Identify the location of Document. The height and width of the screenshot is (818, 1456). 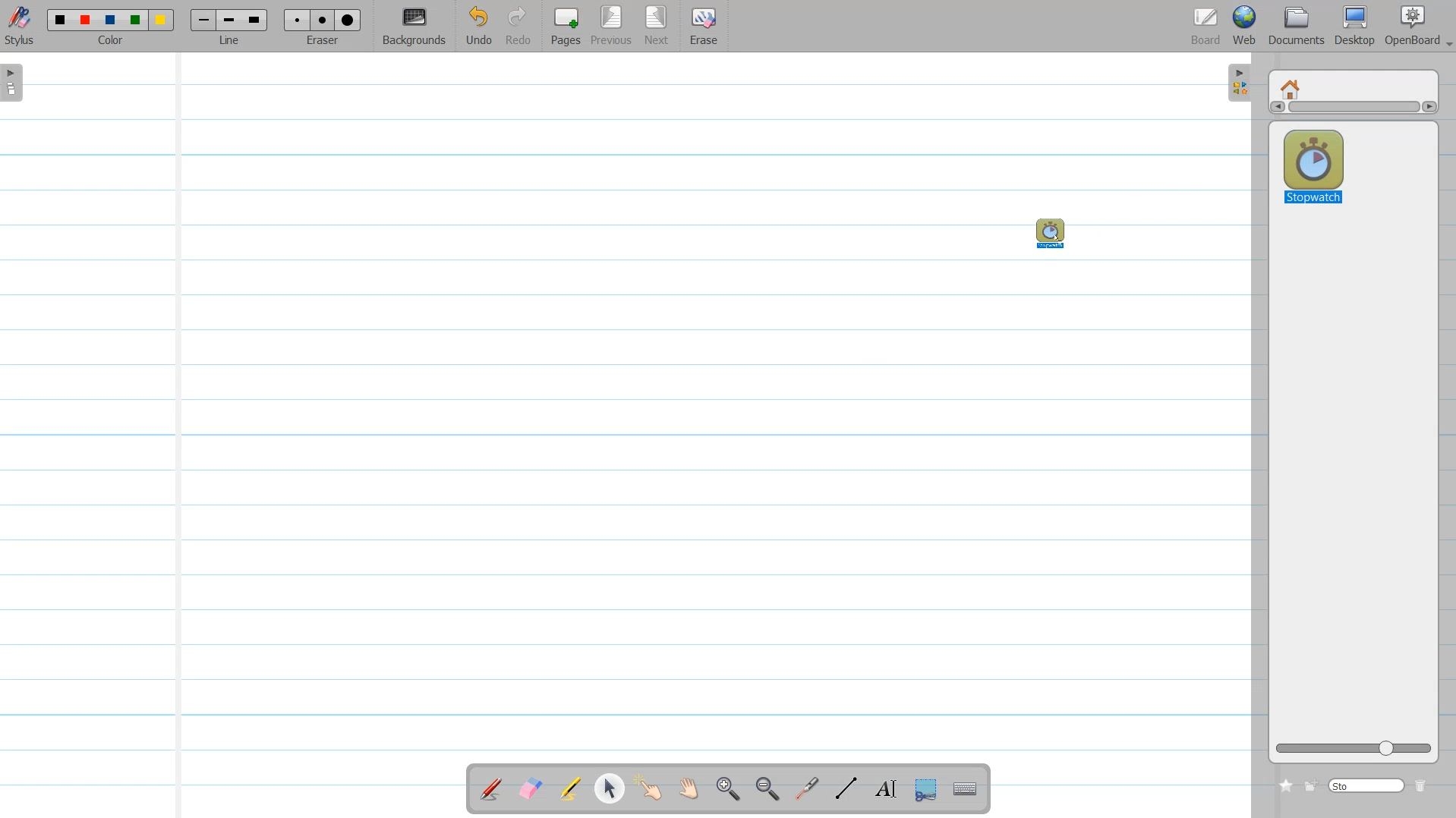
(1297, 26).